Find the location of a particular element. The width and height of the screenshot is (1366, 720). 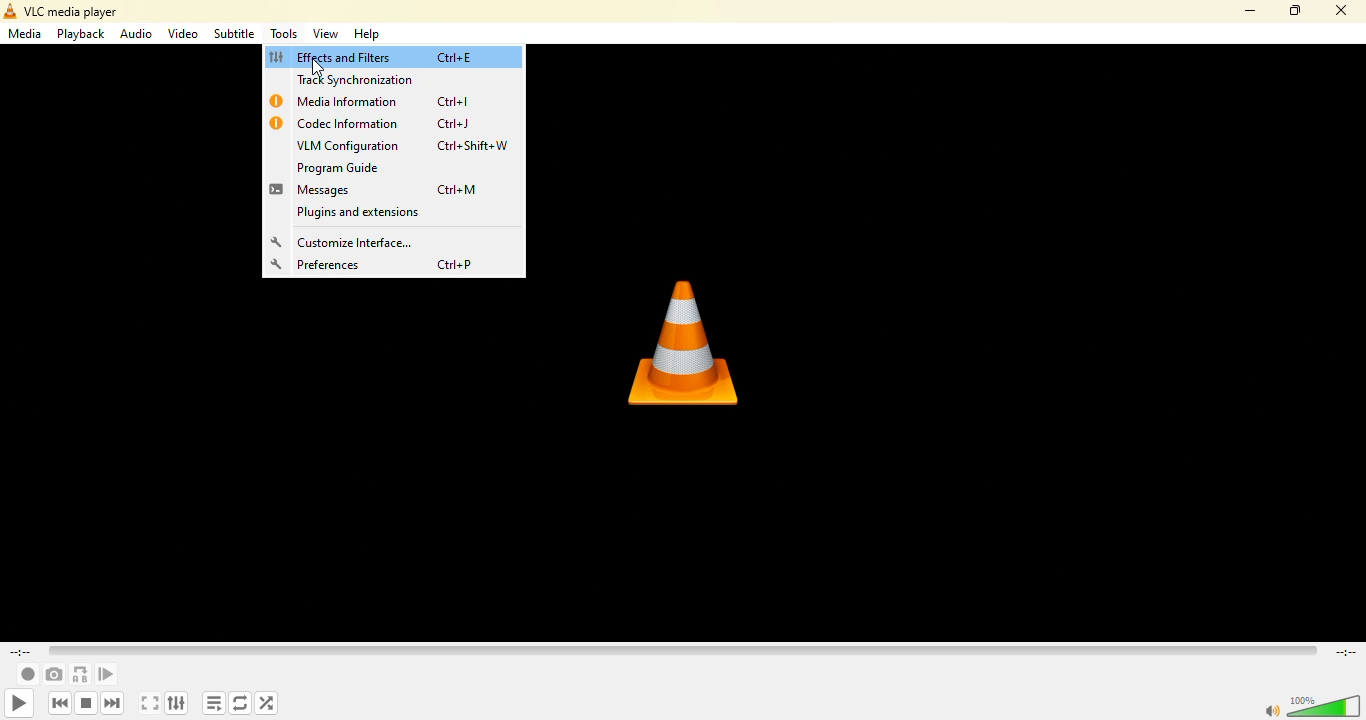

stop playback is located at coordinates (86, 701).